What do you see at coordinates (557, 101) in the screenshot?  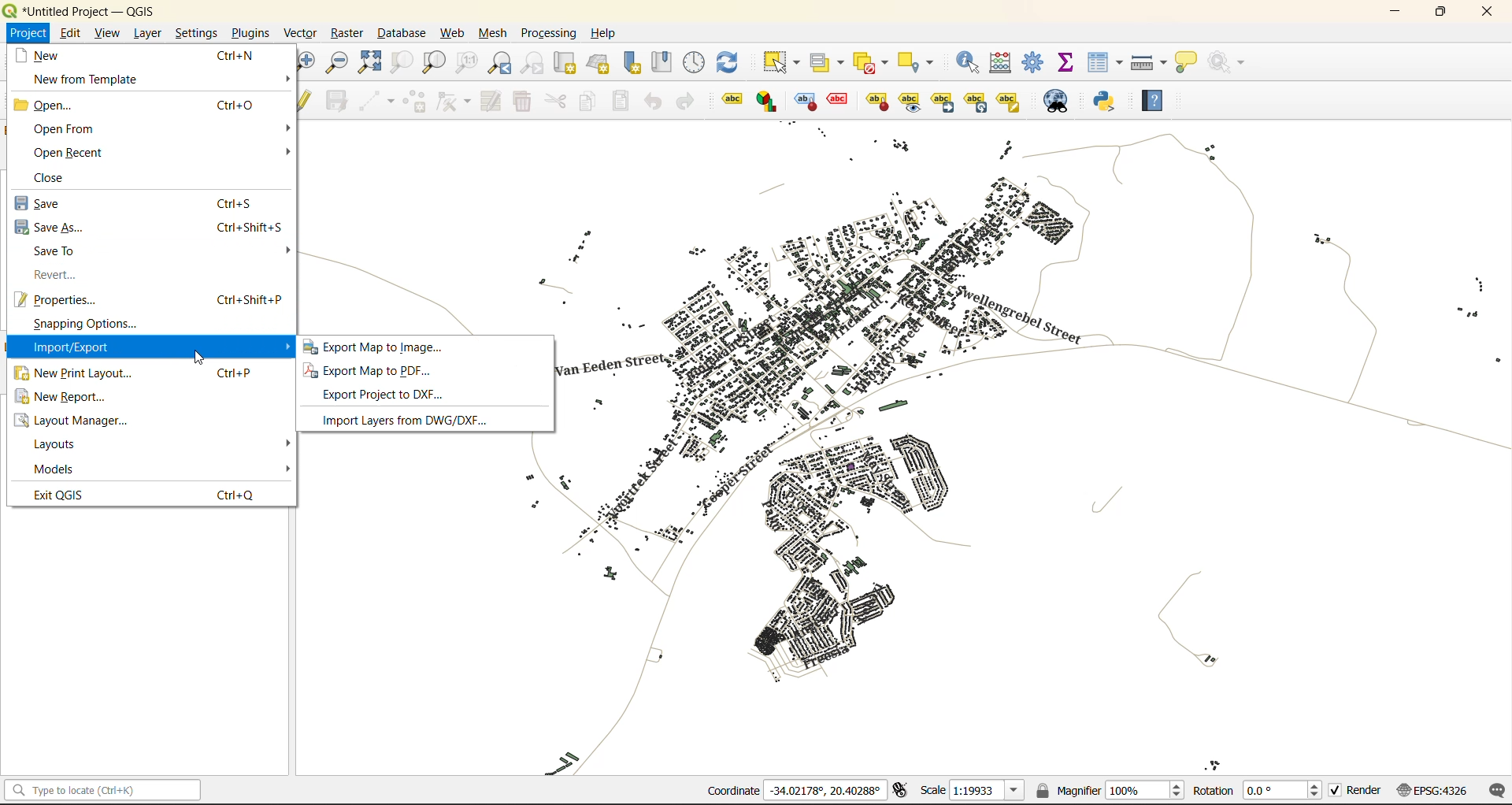 I see `cut` at bounding box center [557, 101].